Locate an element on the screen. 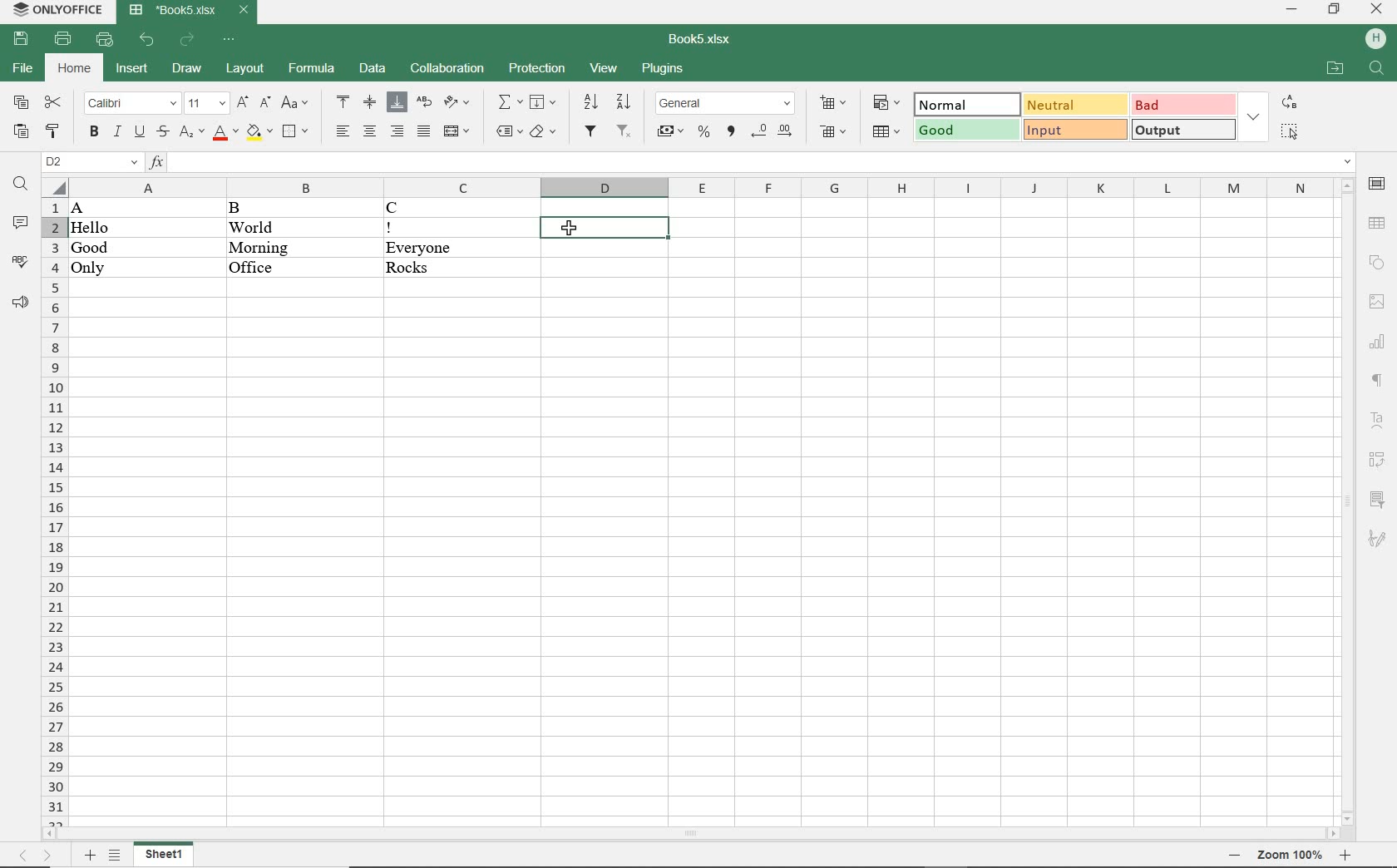 The width and height of the screenshot is (1397, 868). ORIENTATION is located at coordinates (456, 103).